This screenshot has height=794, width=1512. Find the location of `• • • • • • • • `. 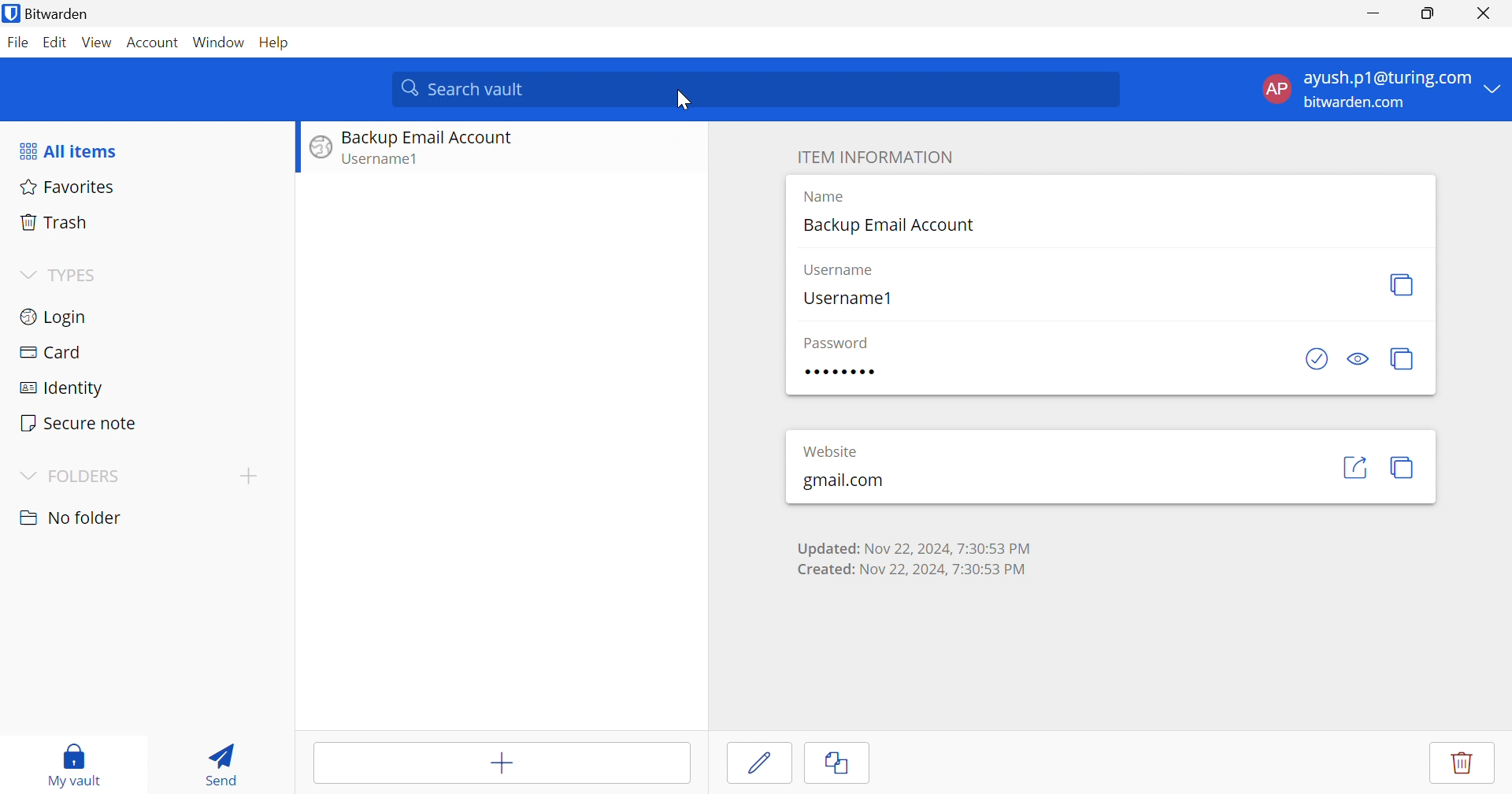

• • • • • • • •  is located at coordinates (829, 454).